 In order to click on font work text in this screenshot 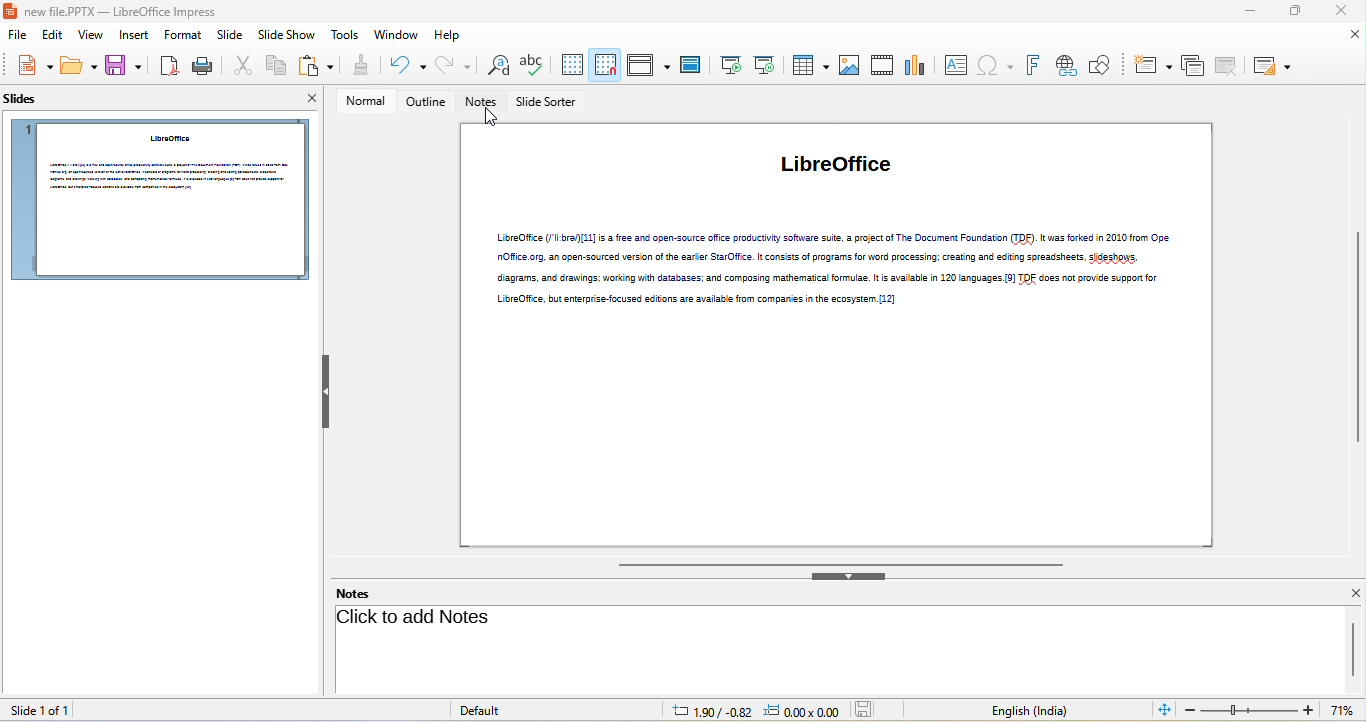, I will do `click(1032, 66)`.